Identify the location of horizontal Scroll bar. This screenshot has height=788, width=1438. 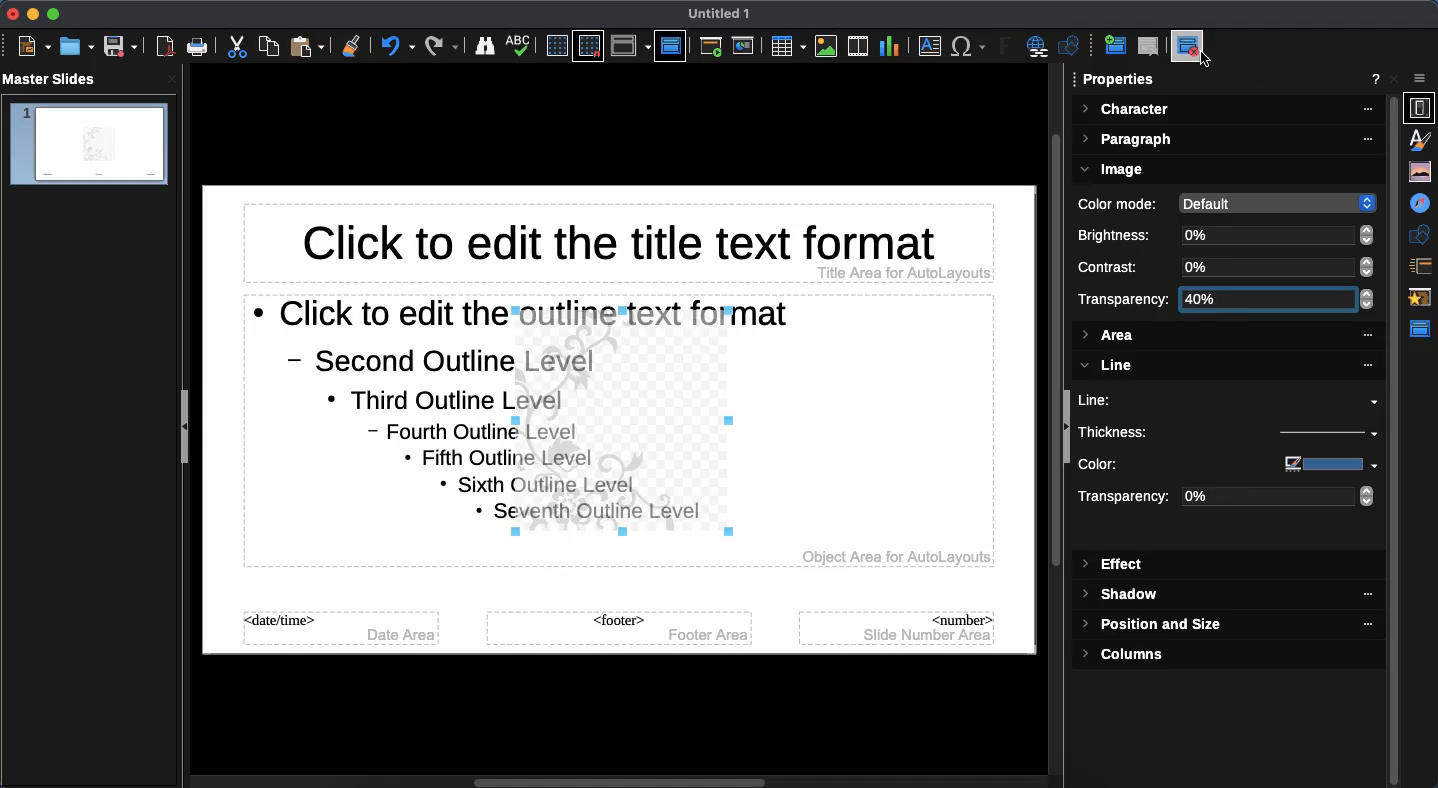
(624, 779).